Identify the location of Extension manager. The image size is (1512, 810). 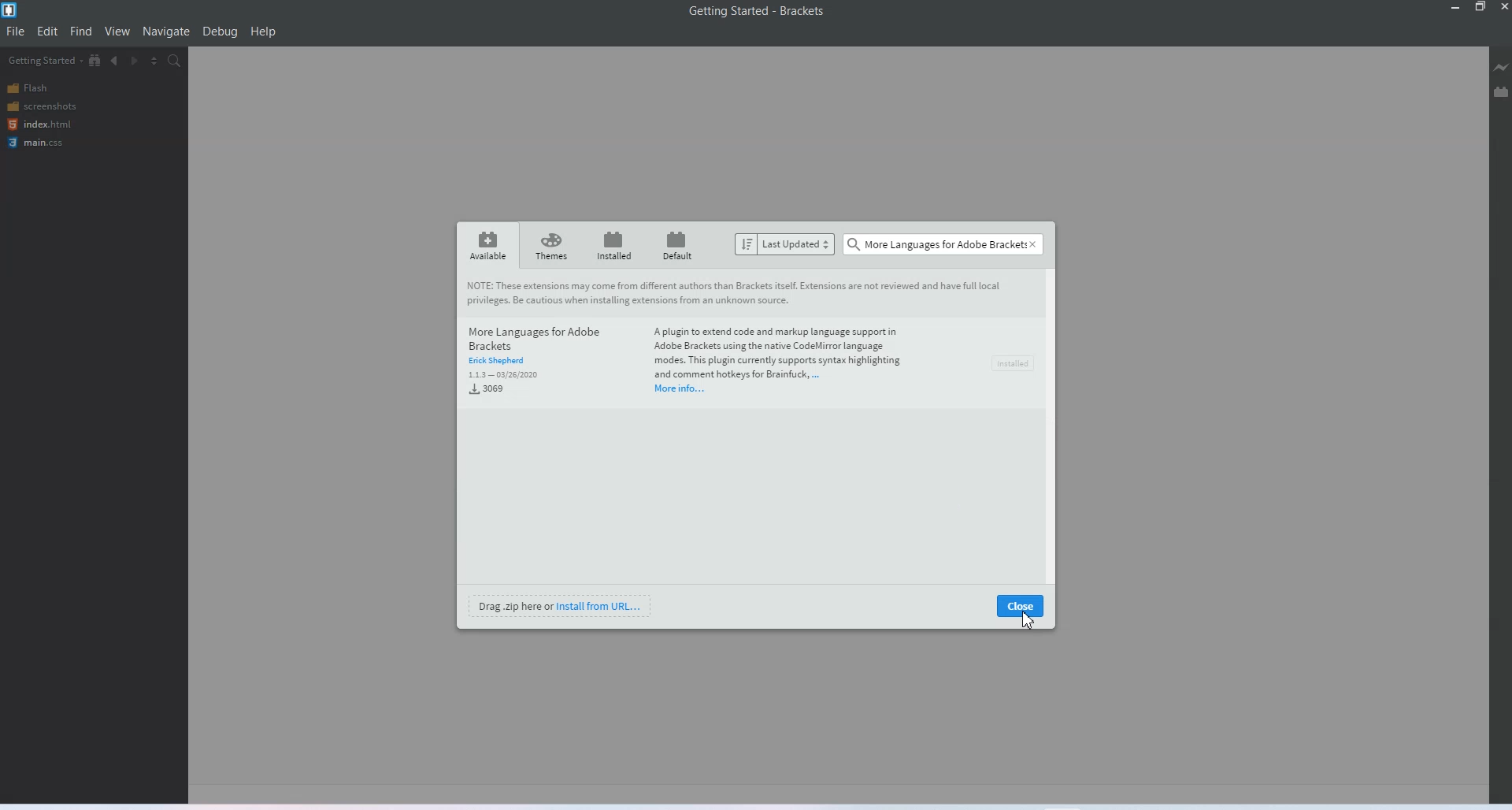
(1501, 91).